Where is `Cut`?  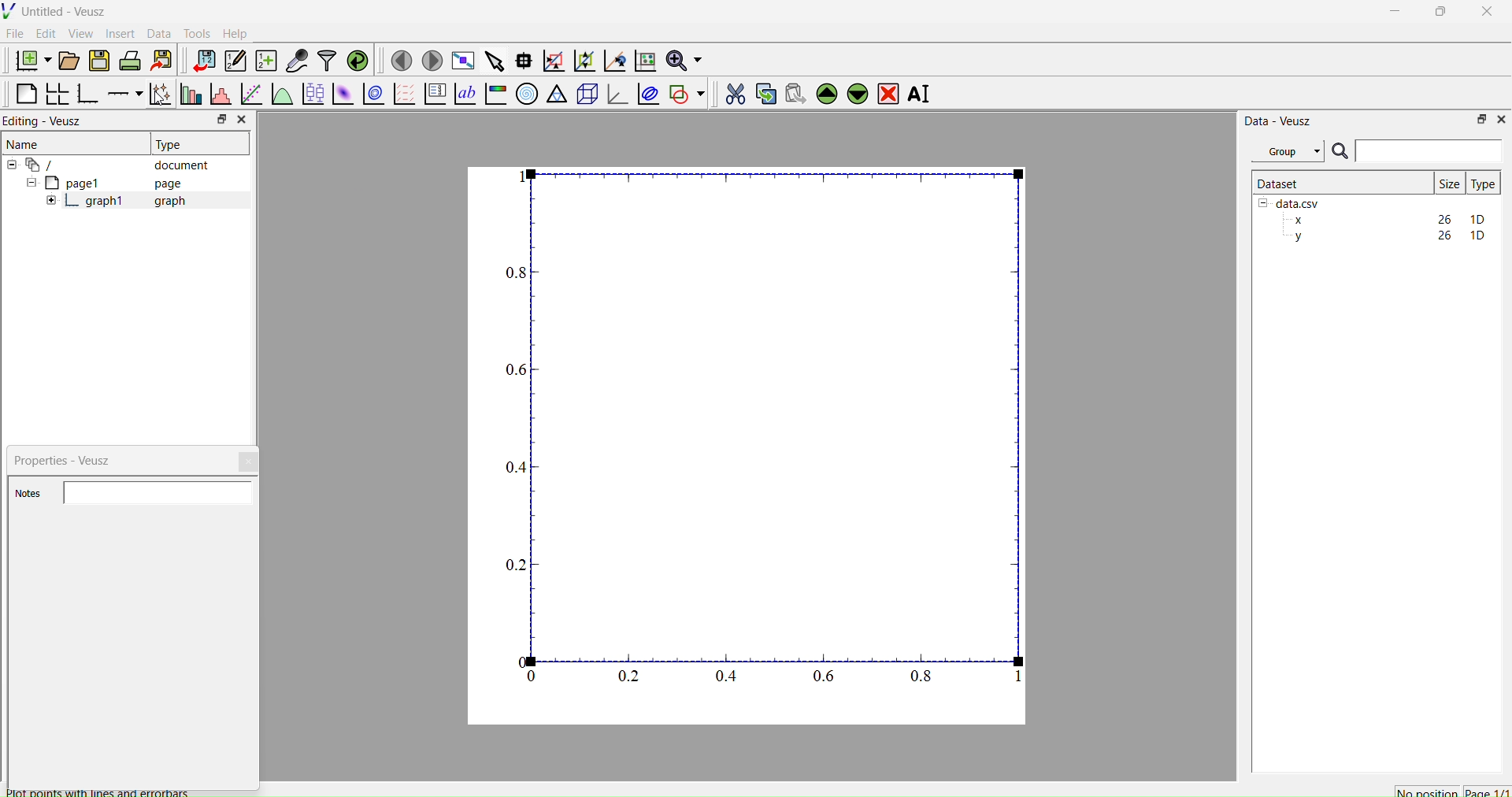
Cut is located at coordinates (730, 91).